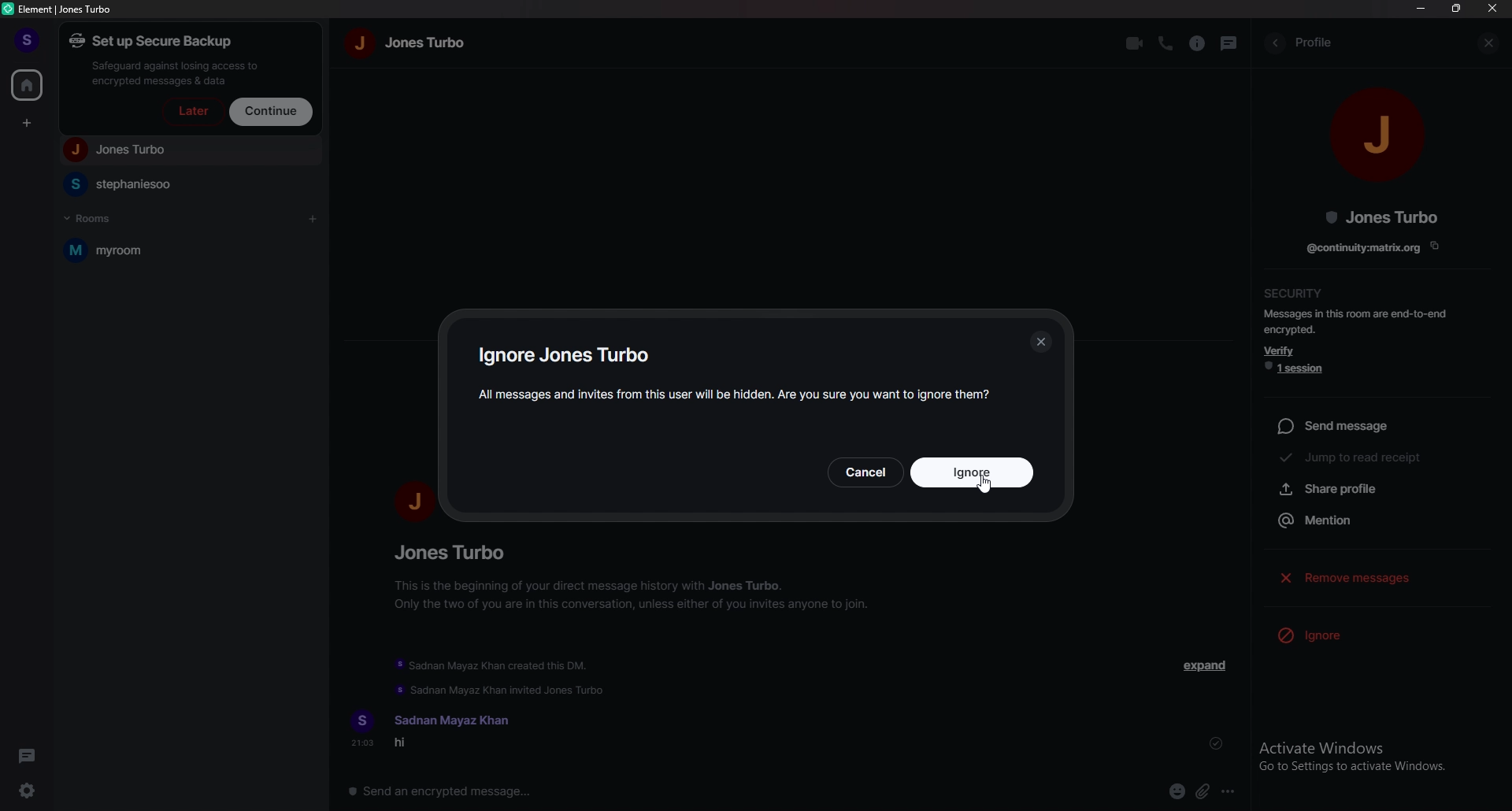  What do you see at coordinates (1457, 8) in the screenshot?
I see `resize` at bounding box center [1457, 8].